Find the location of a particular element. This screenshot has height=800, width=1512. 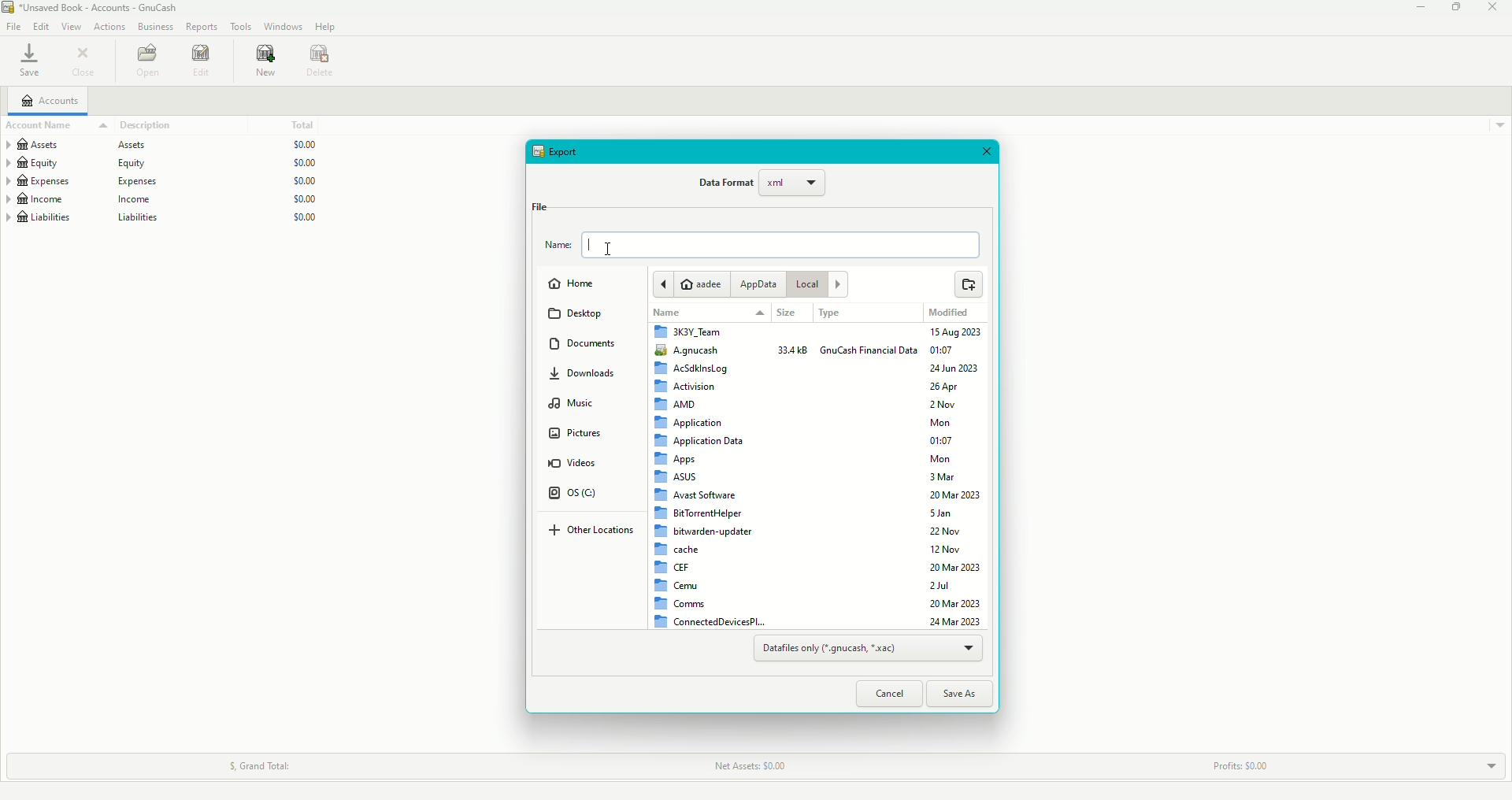

Net assets is located at coordinates (751, 765).